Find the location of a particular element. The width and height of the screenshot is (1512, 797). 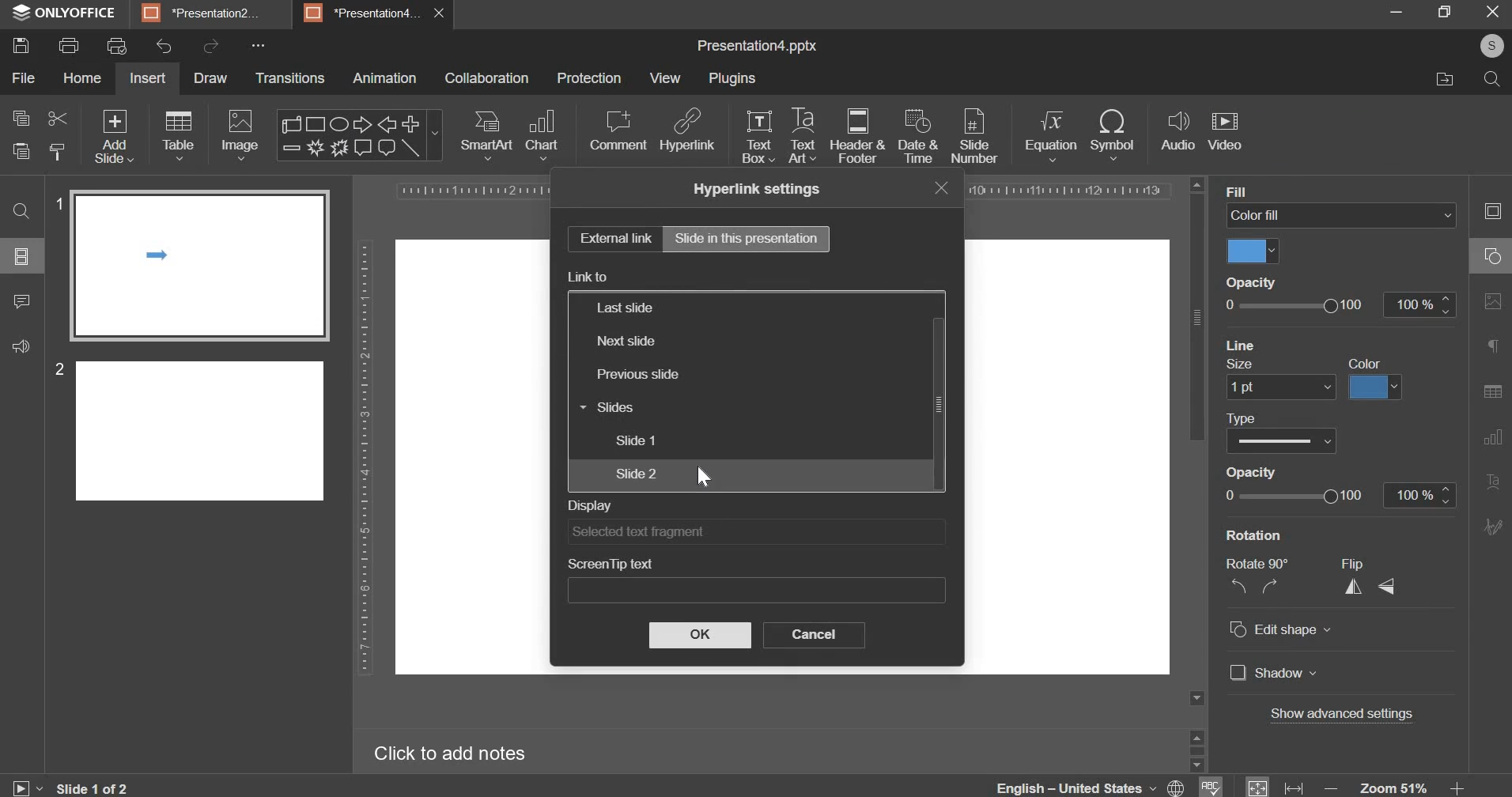

search is located at coordinates (21, 204).